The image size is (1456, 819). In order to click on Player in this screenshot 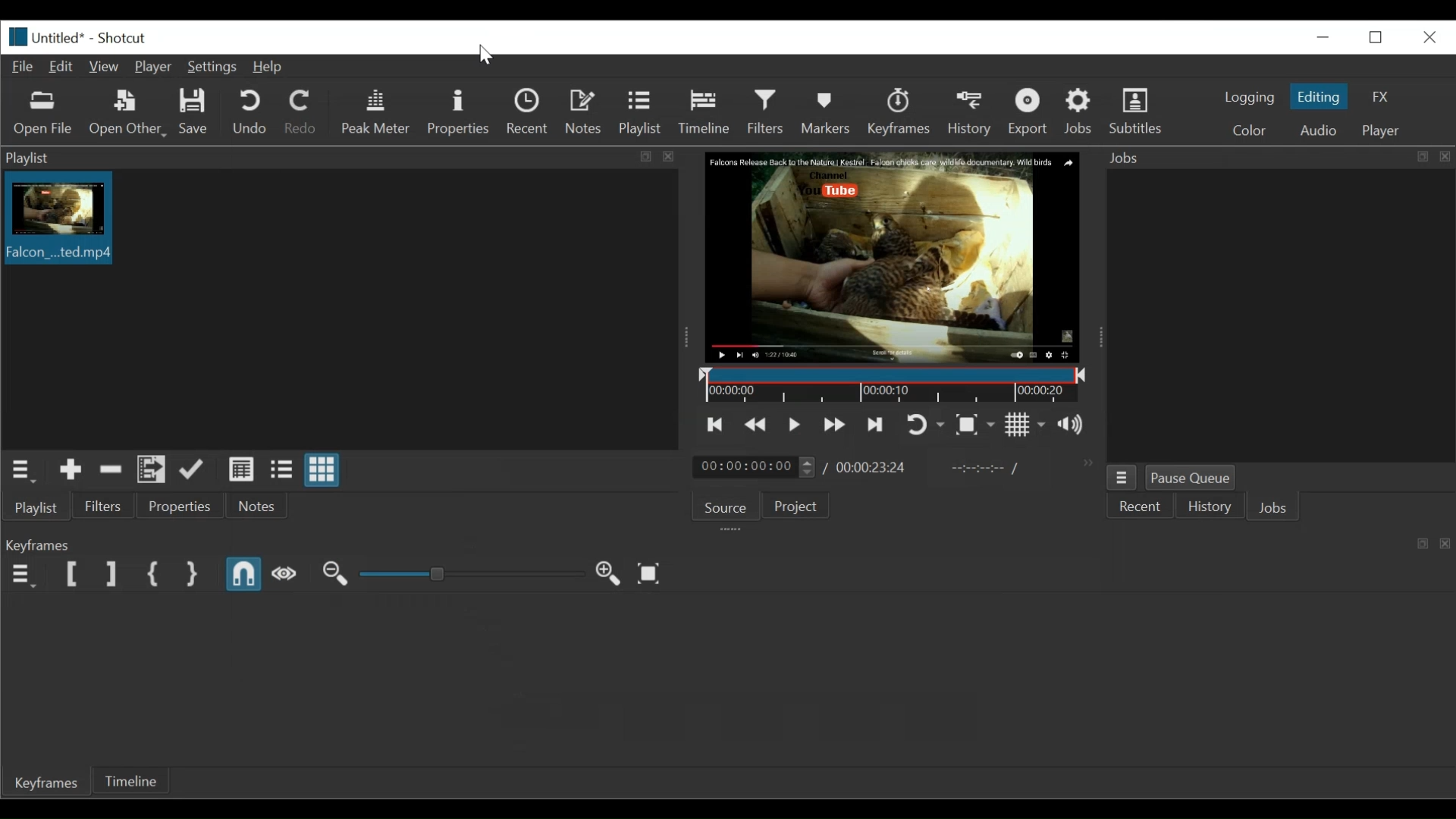, I will do `click(153, 69)`.